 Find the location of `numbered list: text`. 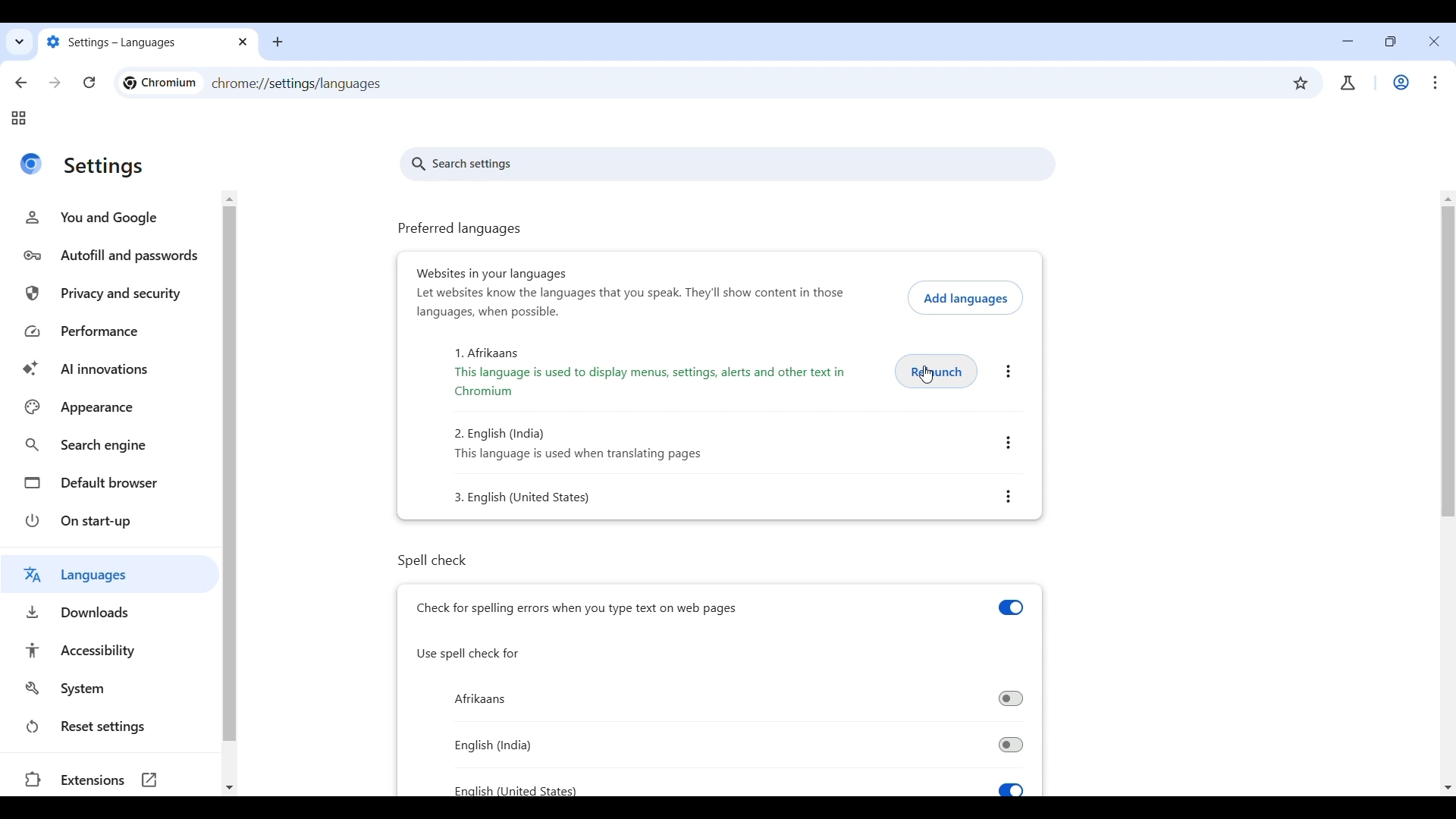

numbered list: text is located at coordinates (539, 500).